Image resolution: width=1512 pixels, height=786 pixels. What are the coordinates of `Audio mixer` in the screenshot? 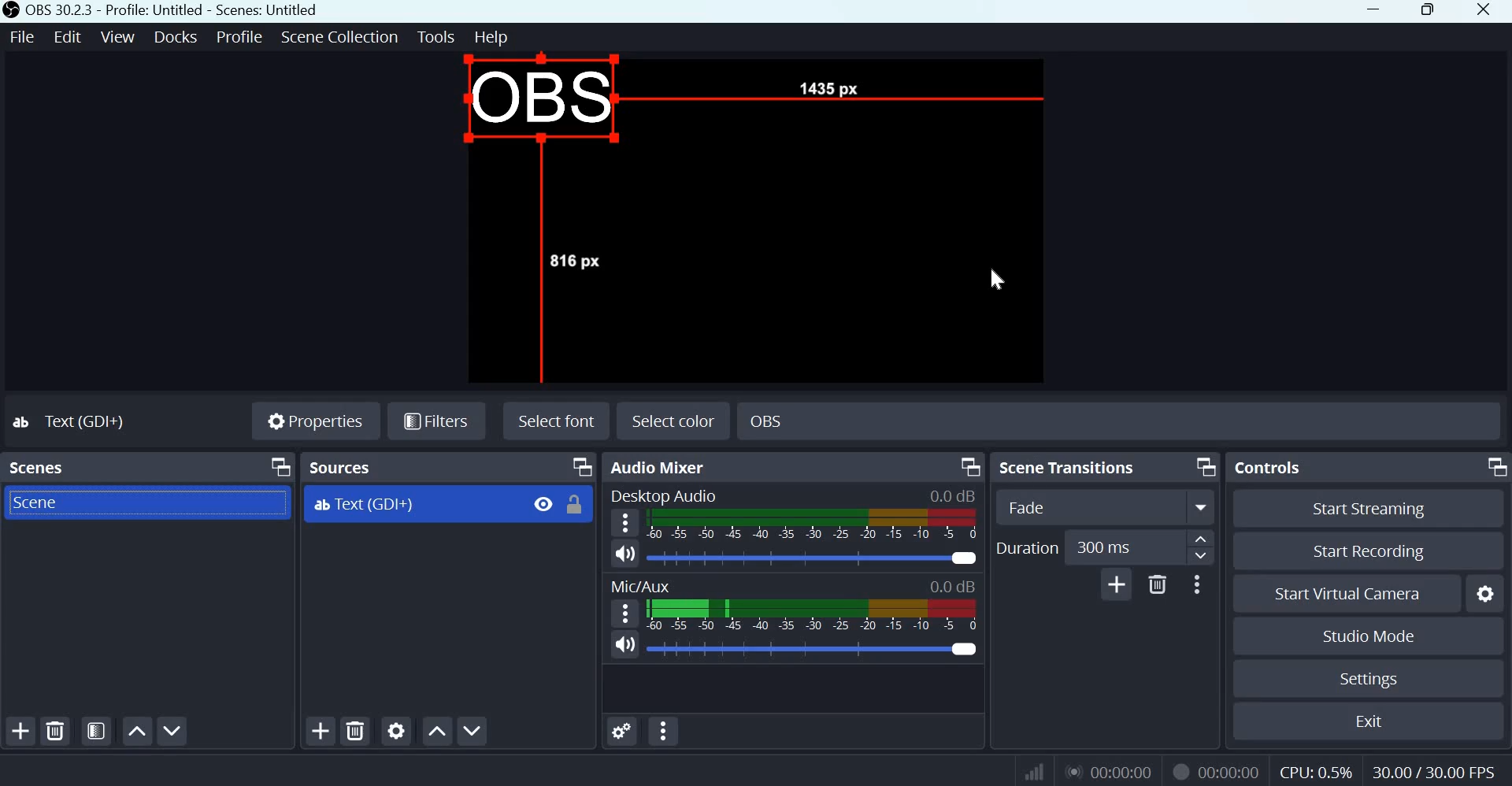 It's located at (662, 466).